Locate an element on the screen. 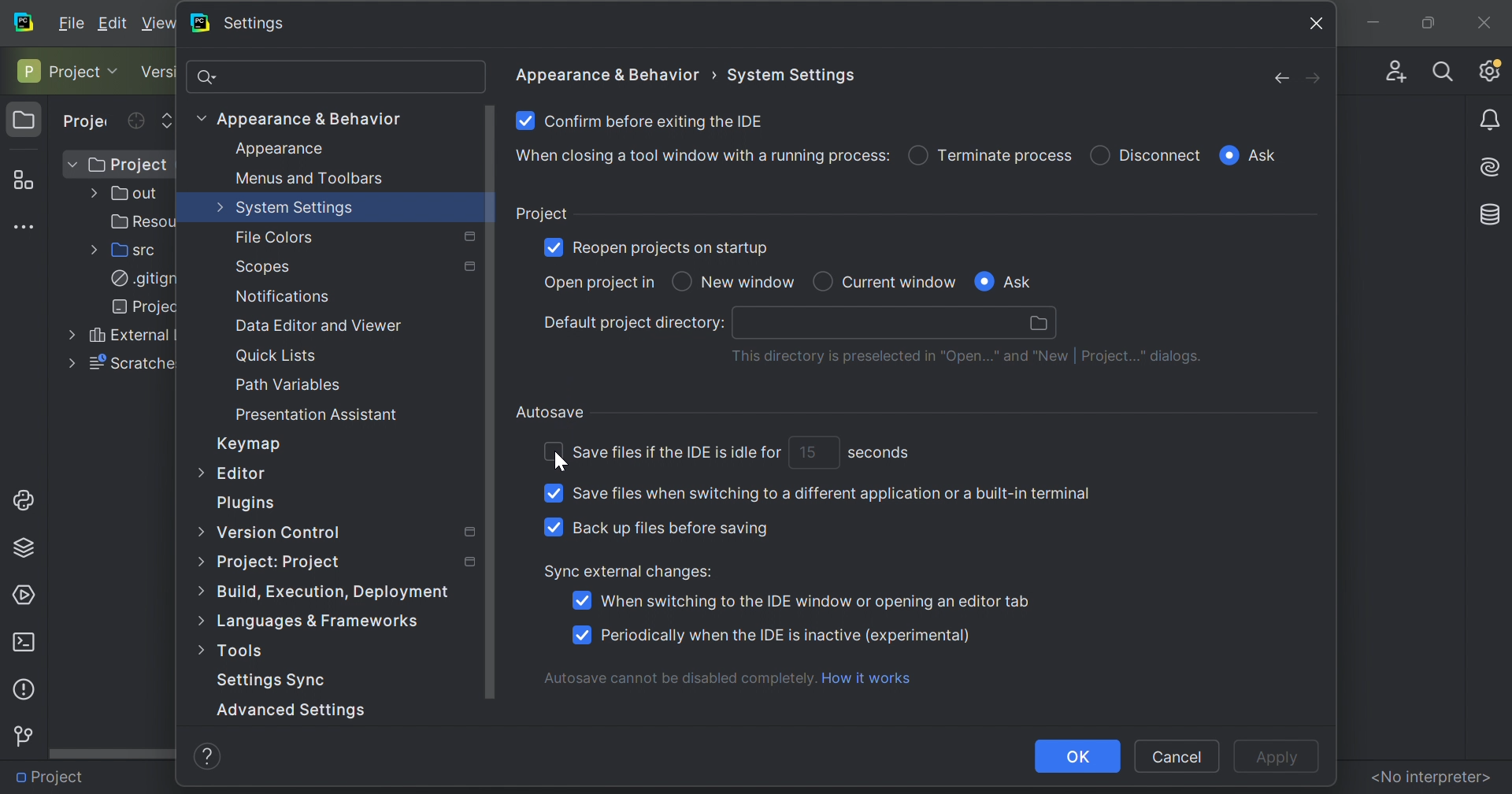  Project is located at coordinates (542, 212).